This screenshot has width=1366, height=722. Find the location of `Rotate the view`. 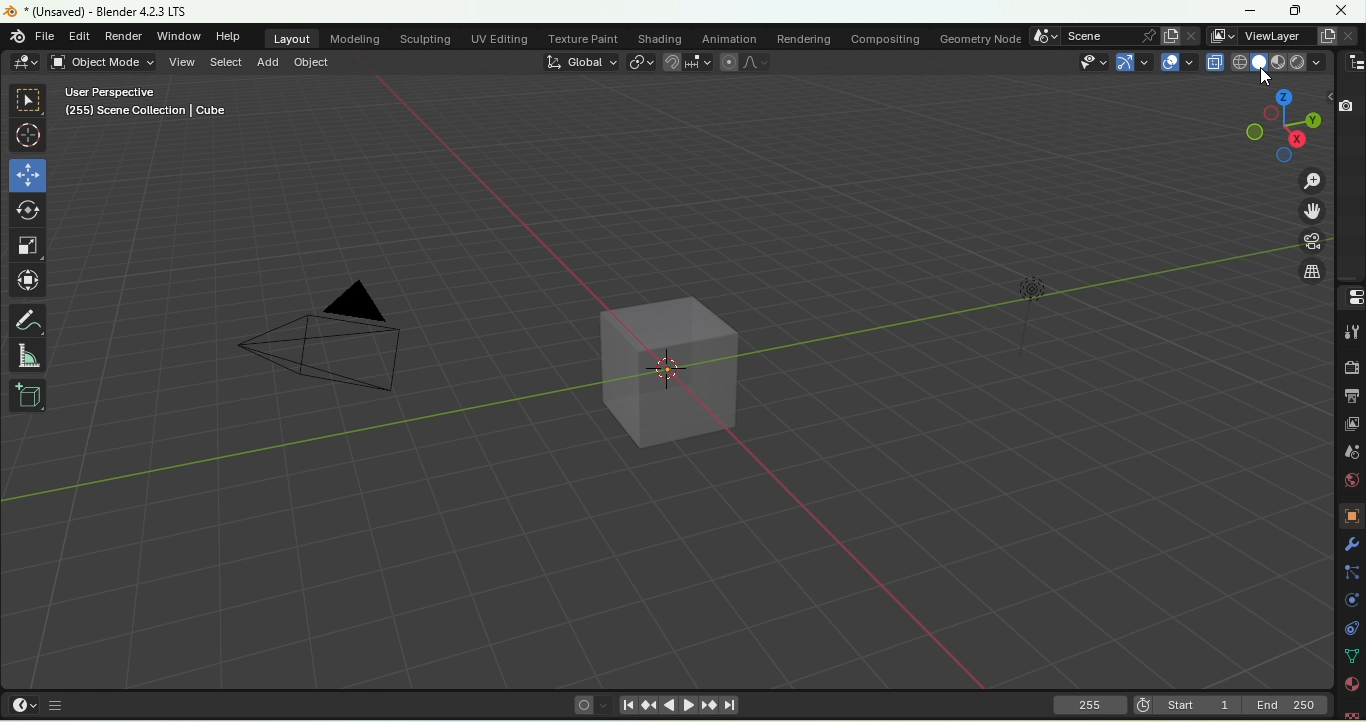

Rotate the view is located at coordinates (1271, 113).